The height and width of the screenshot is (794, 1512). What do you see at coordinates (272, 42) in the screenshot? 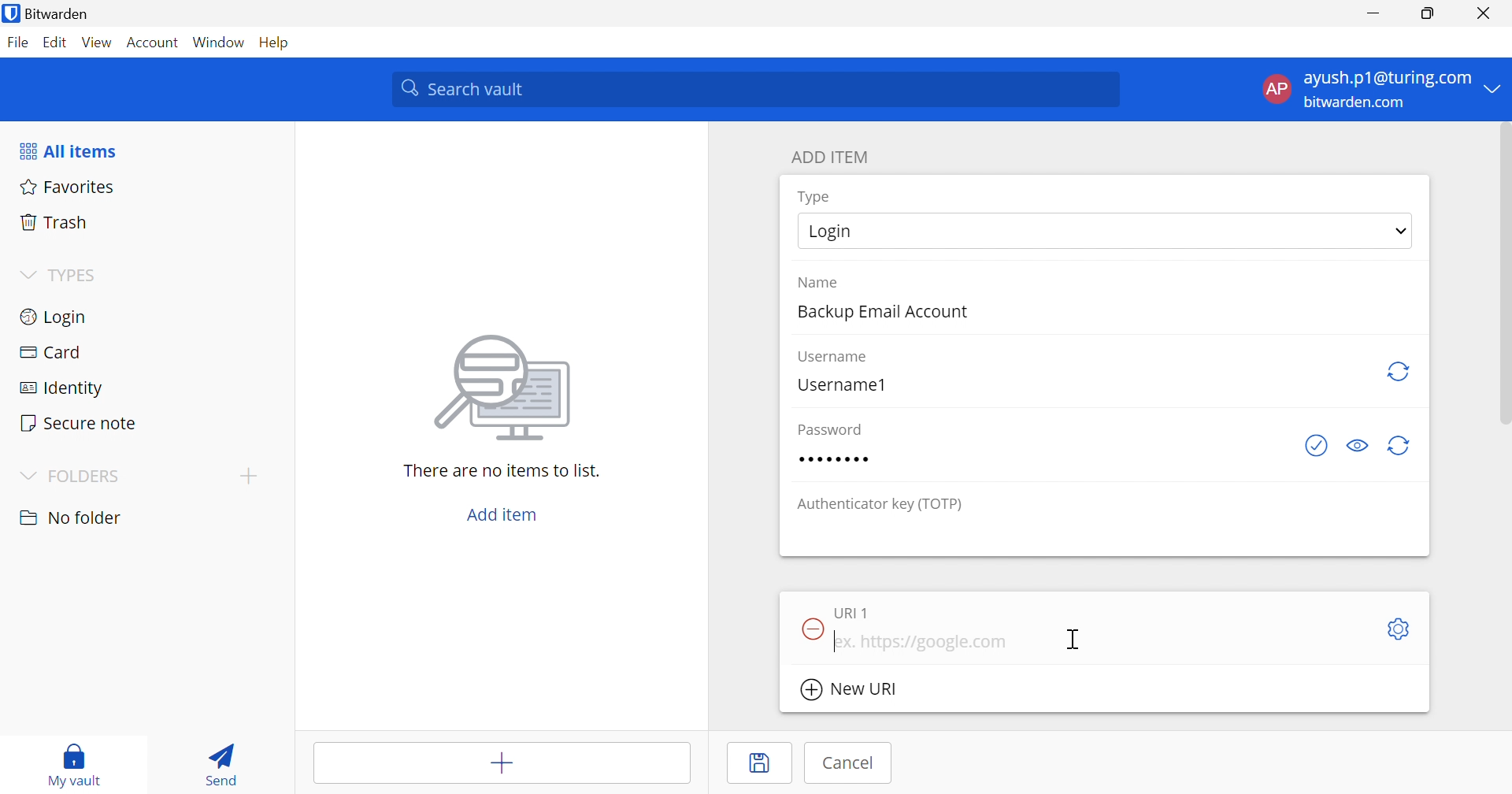
I see `Help` at bounding box center [272, 42].